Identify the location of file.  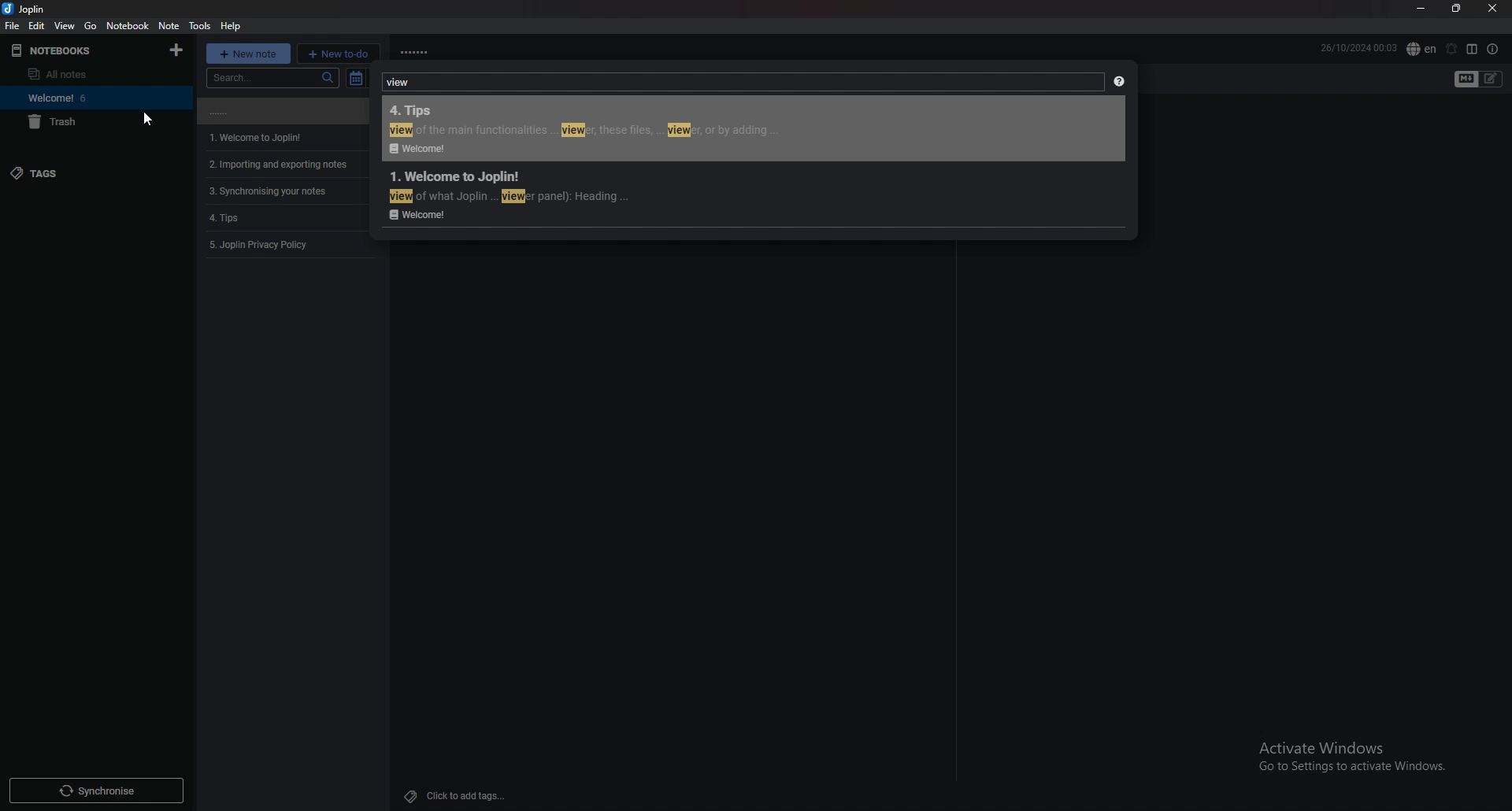
(13, 26).